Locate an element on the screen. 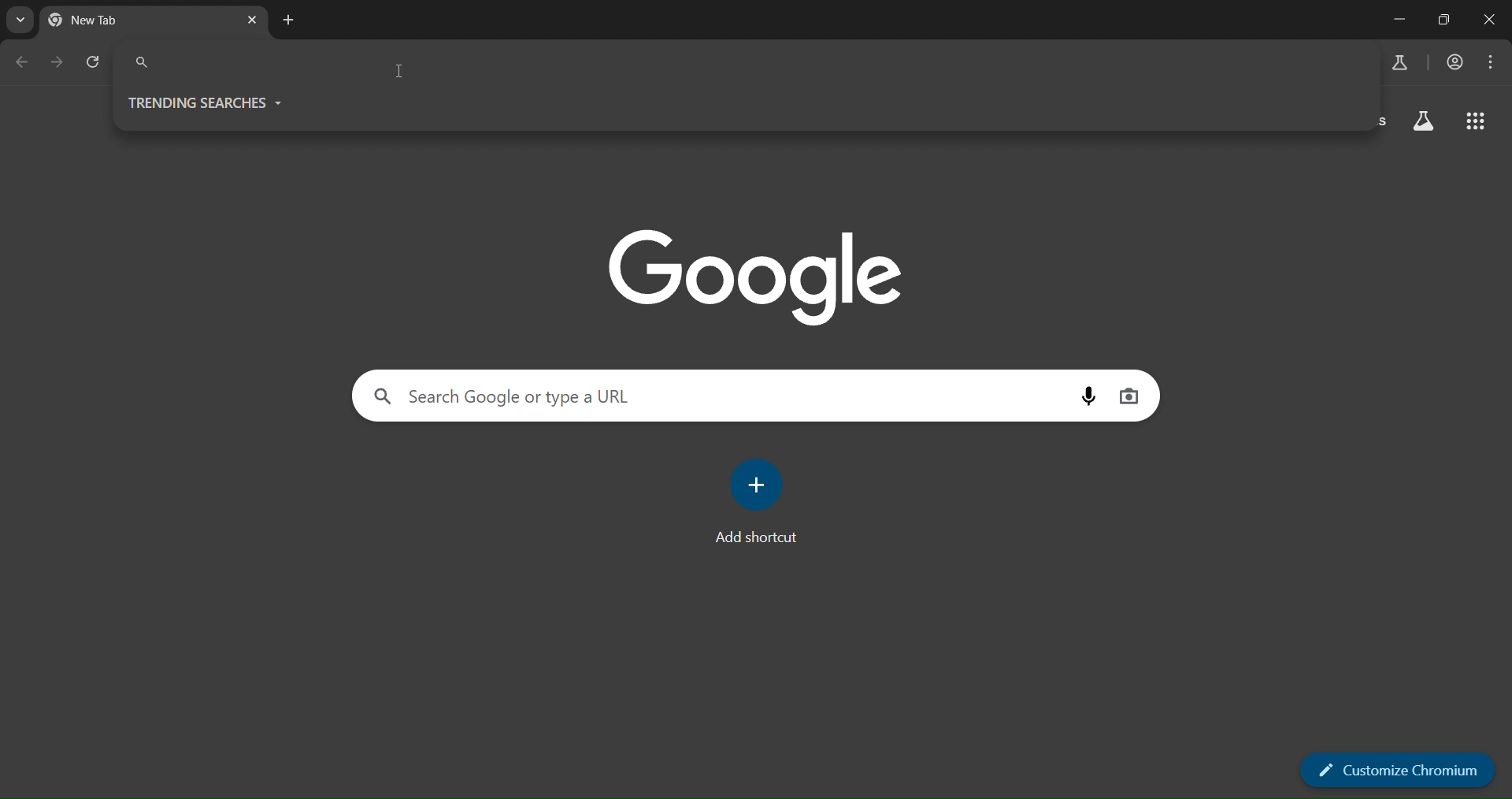  restore down is located at coordinates (1447, 19).